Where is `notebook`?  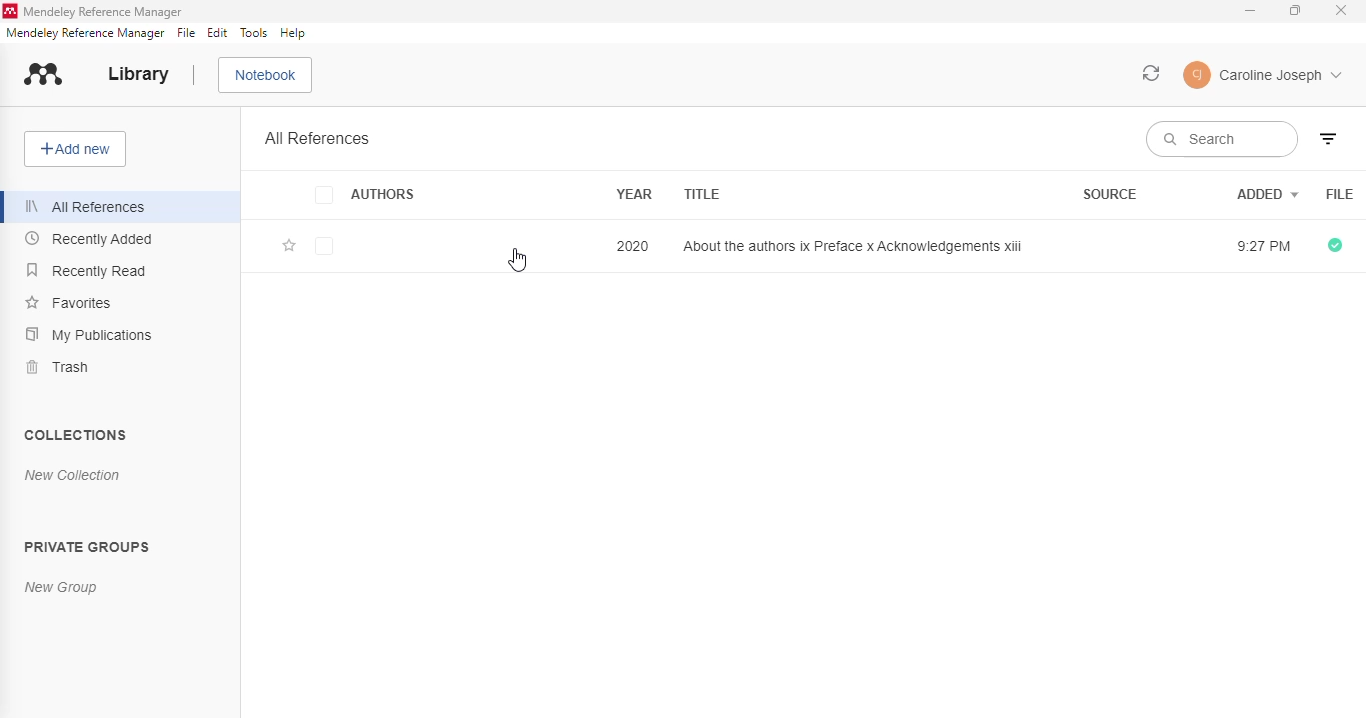 notebook is located at coordinates (265, 75).